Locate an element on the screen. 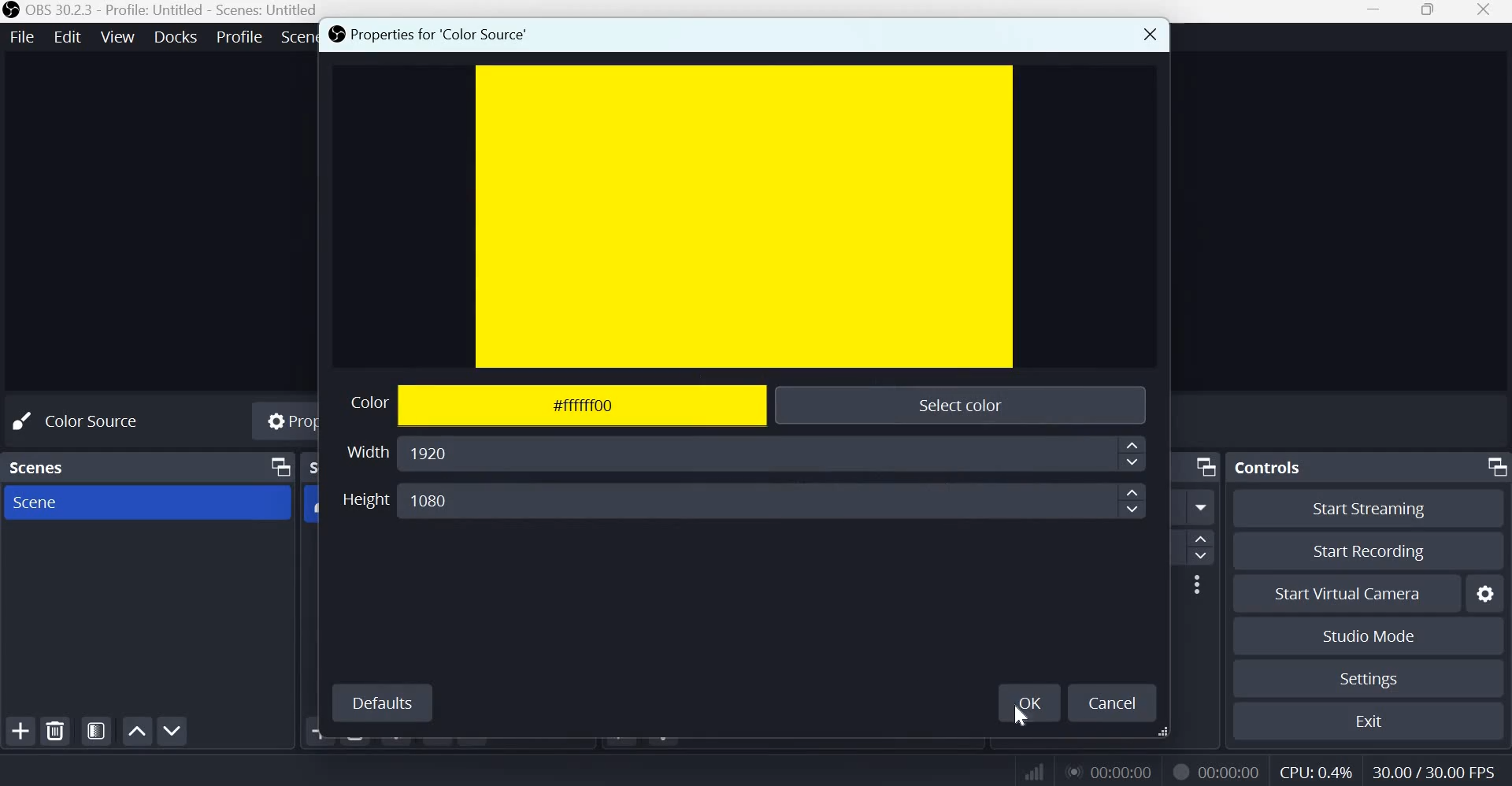  scenes is located at coordinates (40, 465).